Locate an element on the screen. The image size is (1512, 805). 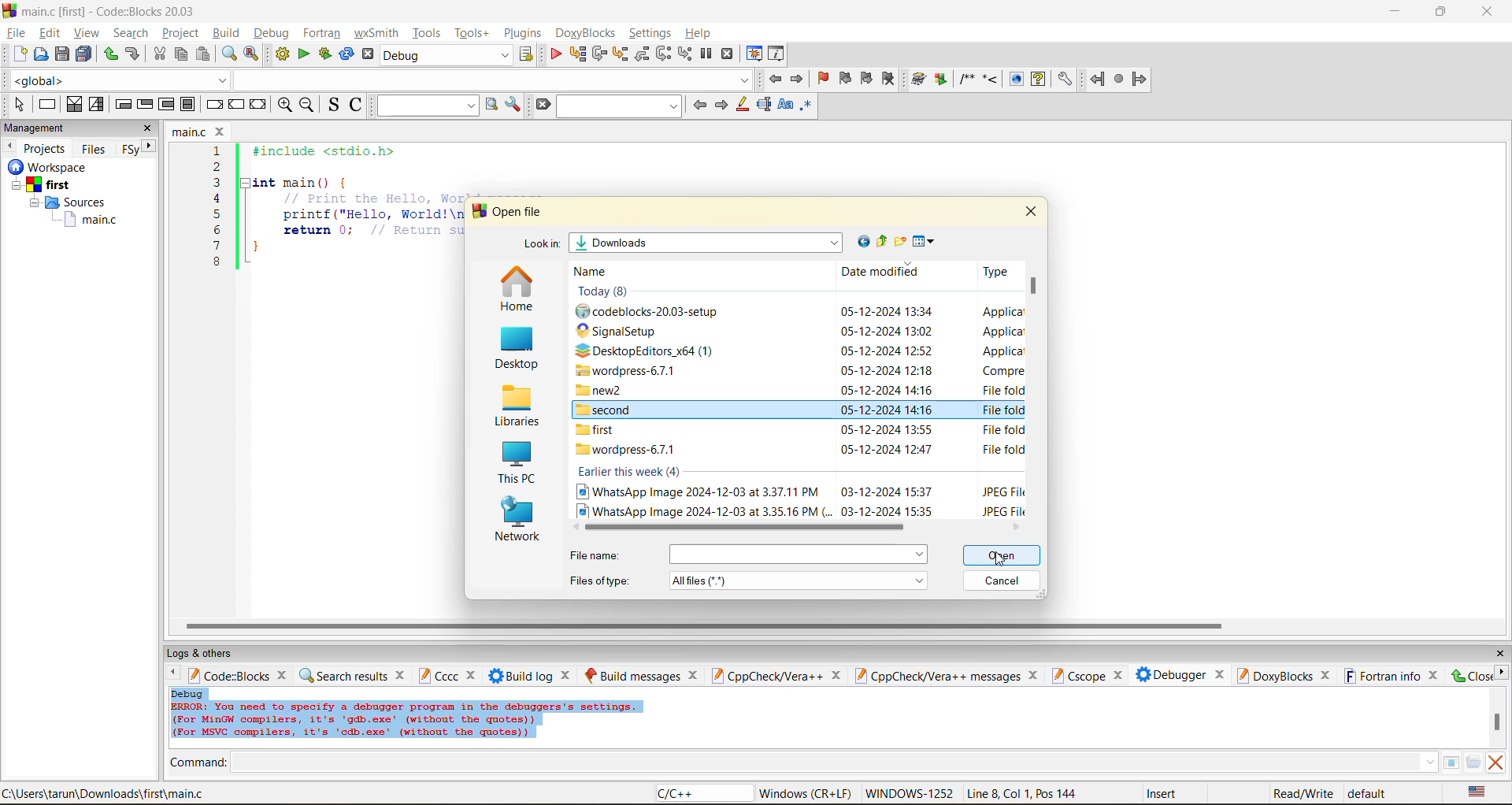
close is located at coordinates (1326, 676).